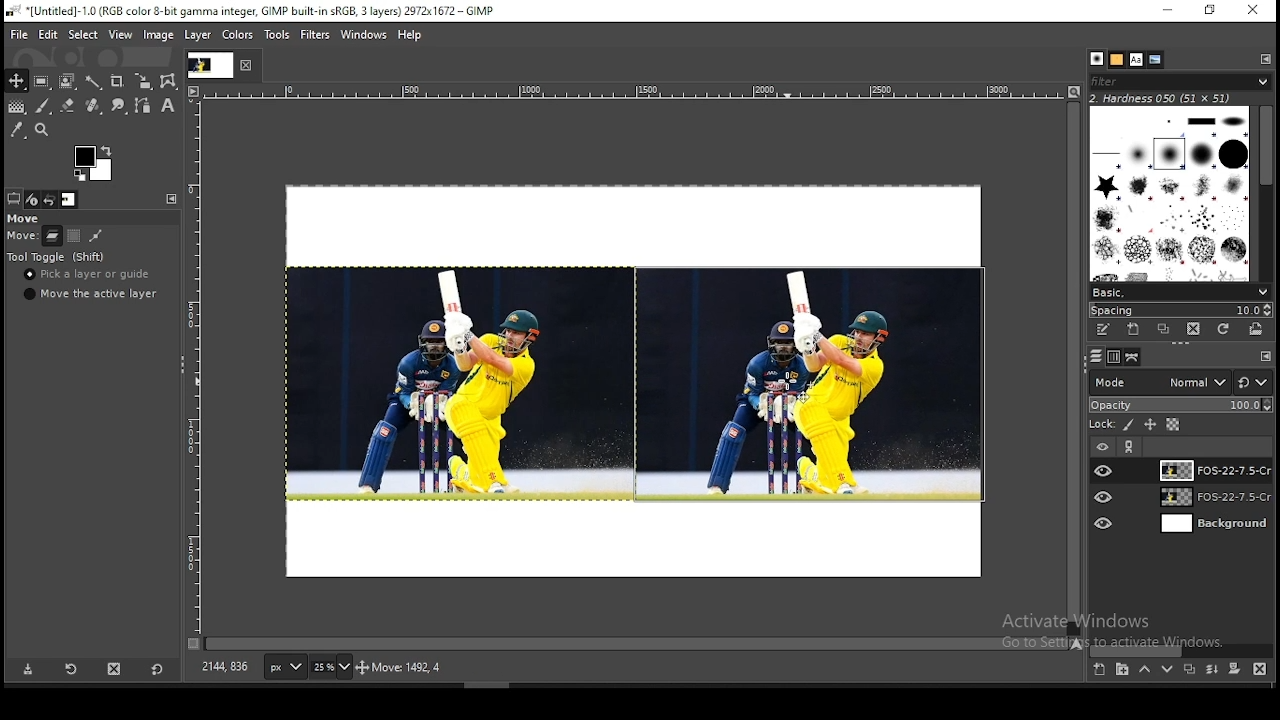 Image resolution: width=1280 pixels, height=720 pixels. Describe the element at coordinates (1167, 10) in the screenshot. I see `Minimise ` at that location.